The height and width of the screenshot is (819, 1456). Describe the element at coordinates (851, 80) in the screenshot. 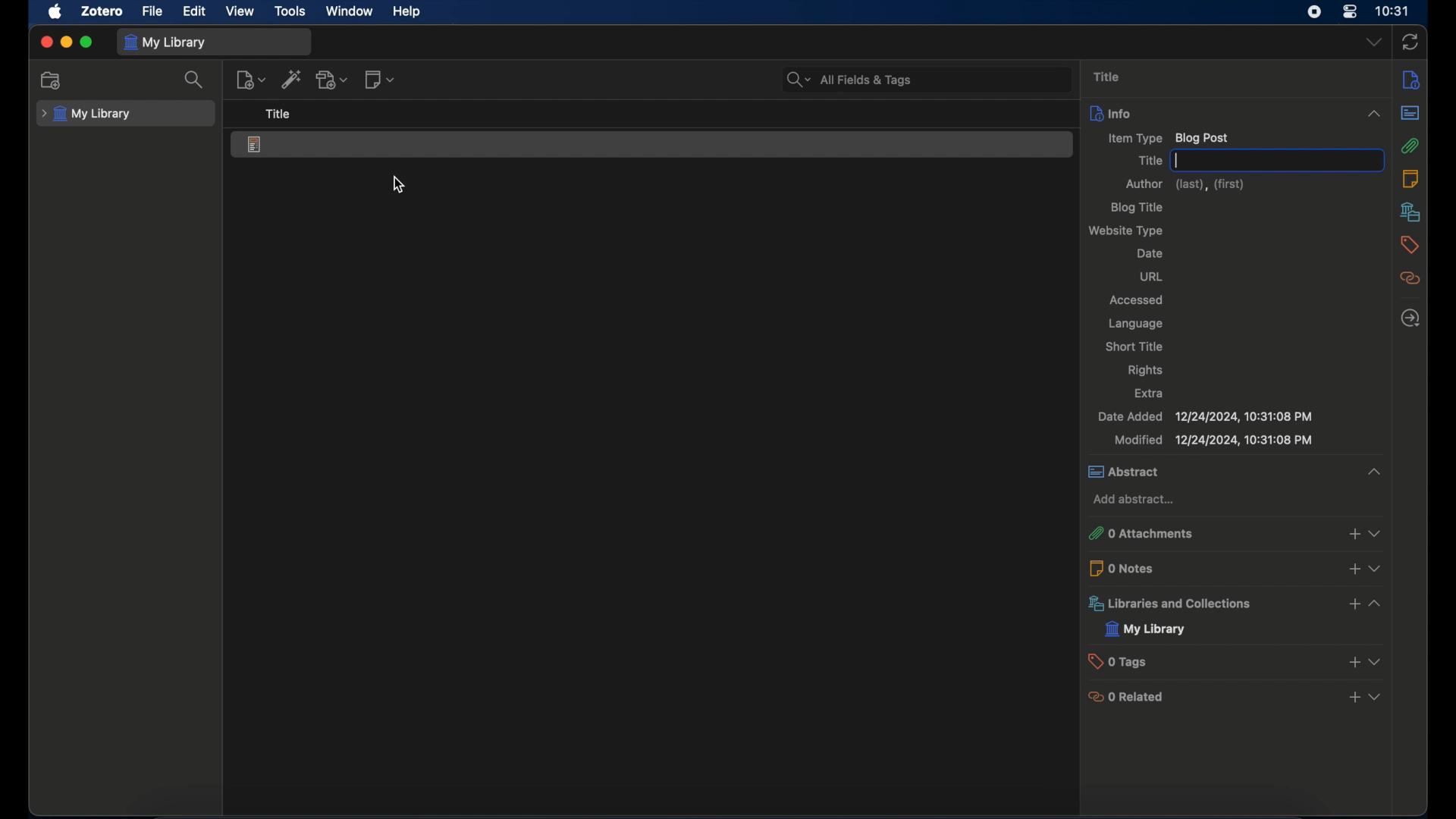

I see `all fields & tags` at that location.